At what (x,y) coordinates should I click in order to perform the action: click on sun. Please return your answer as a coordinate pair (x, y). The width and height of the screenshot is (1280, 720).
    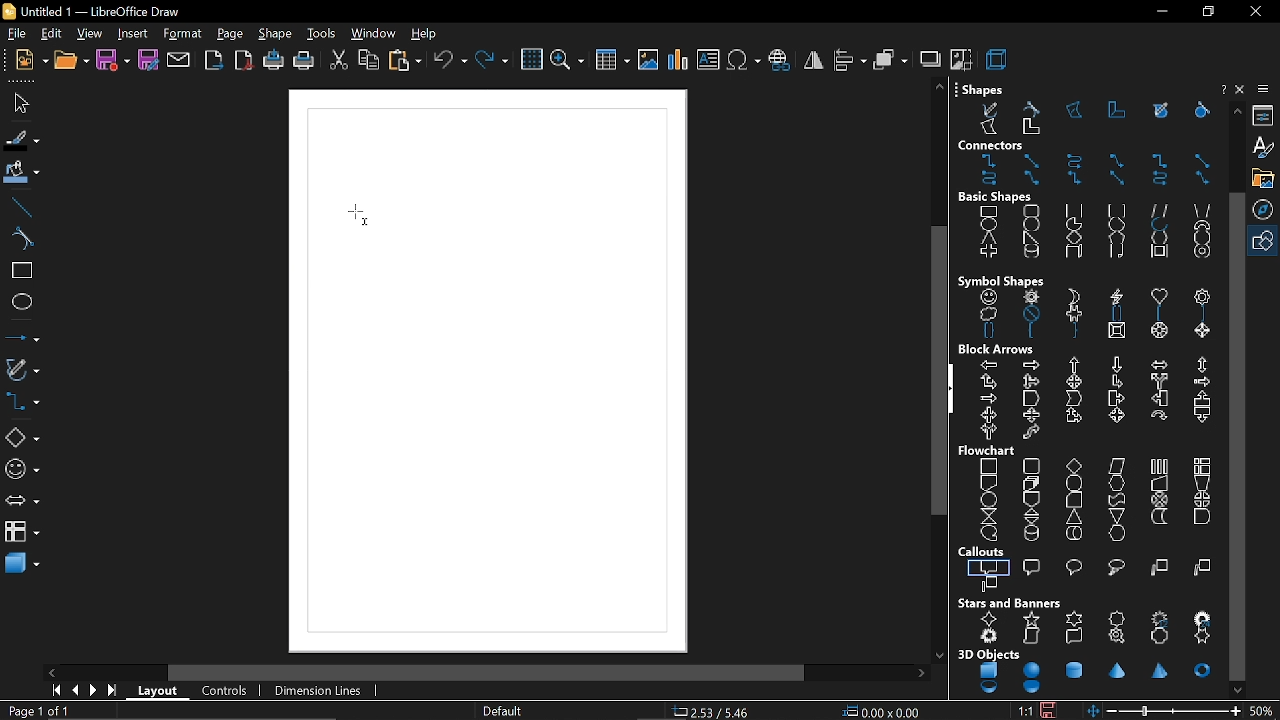
    Looking at the image, I should click on (1032, 297).